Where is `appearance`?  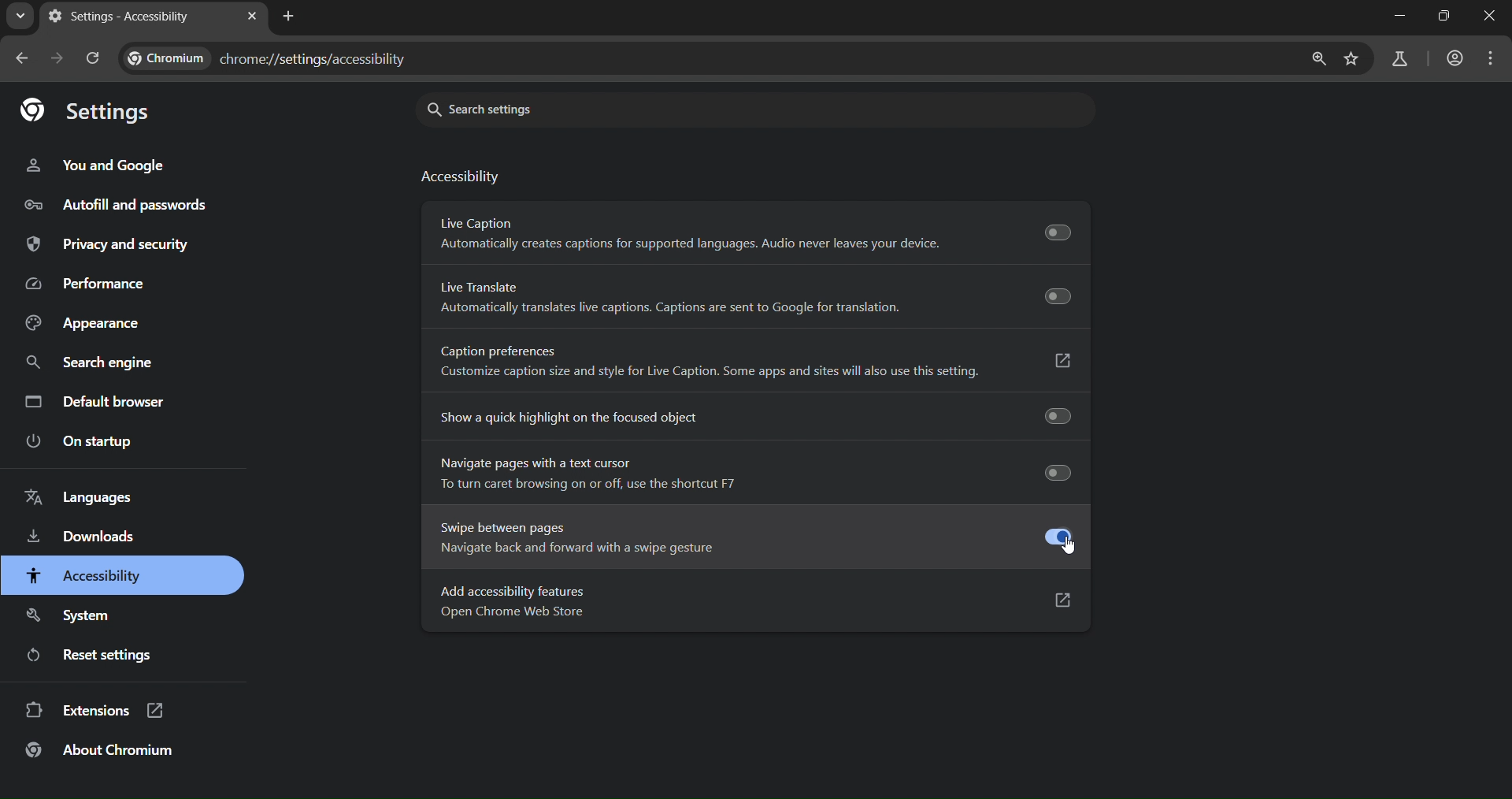 appearance is located at coordinates (80, 322).